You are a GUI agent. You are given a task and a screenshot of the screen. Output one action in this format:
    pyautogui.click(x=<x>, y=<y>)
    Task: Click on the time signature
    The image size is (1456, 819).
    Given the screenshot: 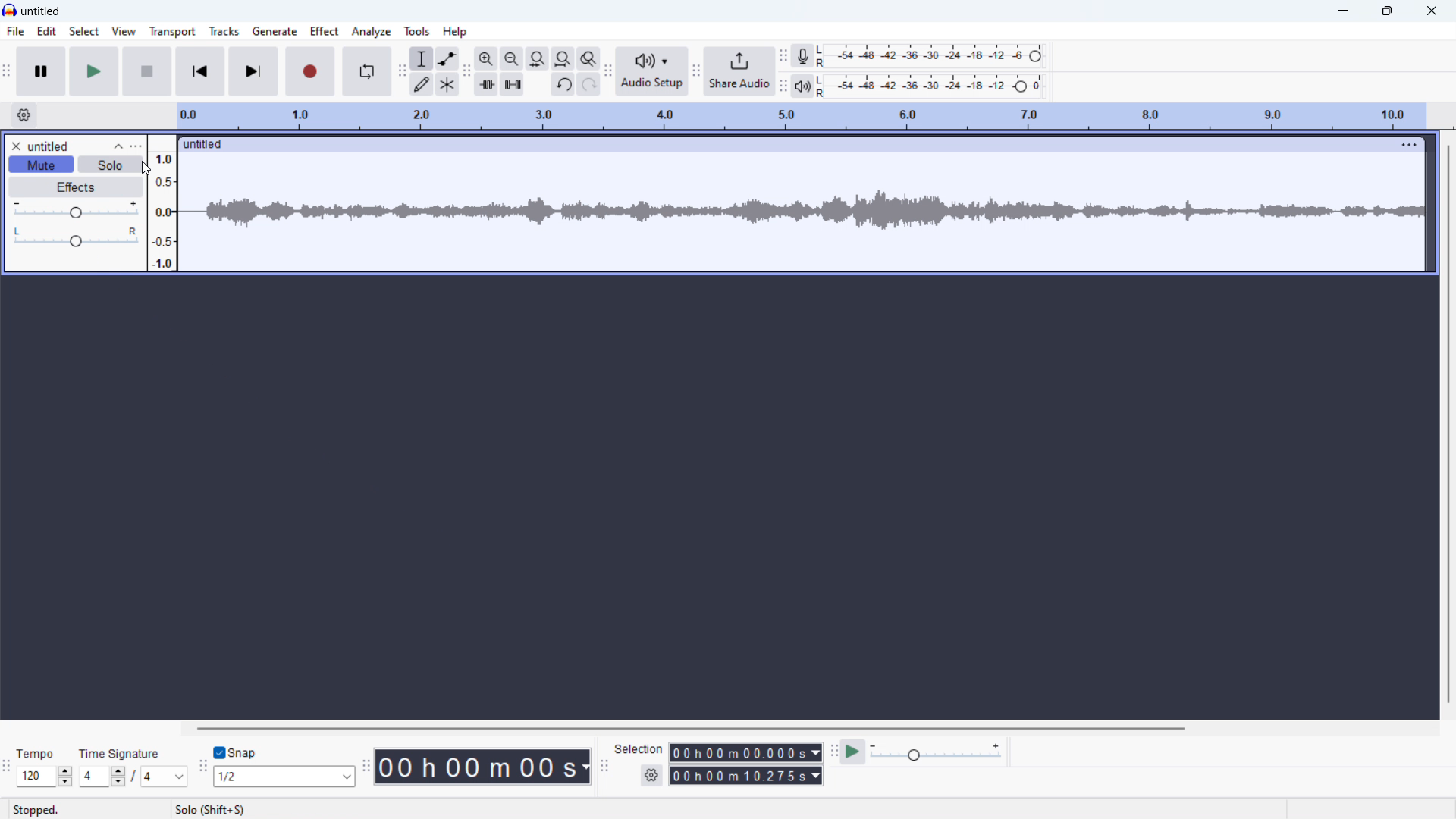 What is the action you would take?
    pyautogui.click(x=118, y=754)
    